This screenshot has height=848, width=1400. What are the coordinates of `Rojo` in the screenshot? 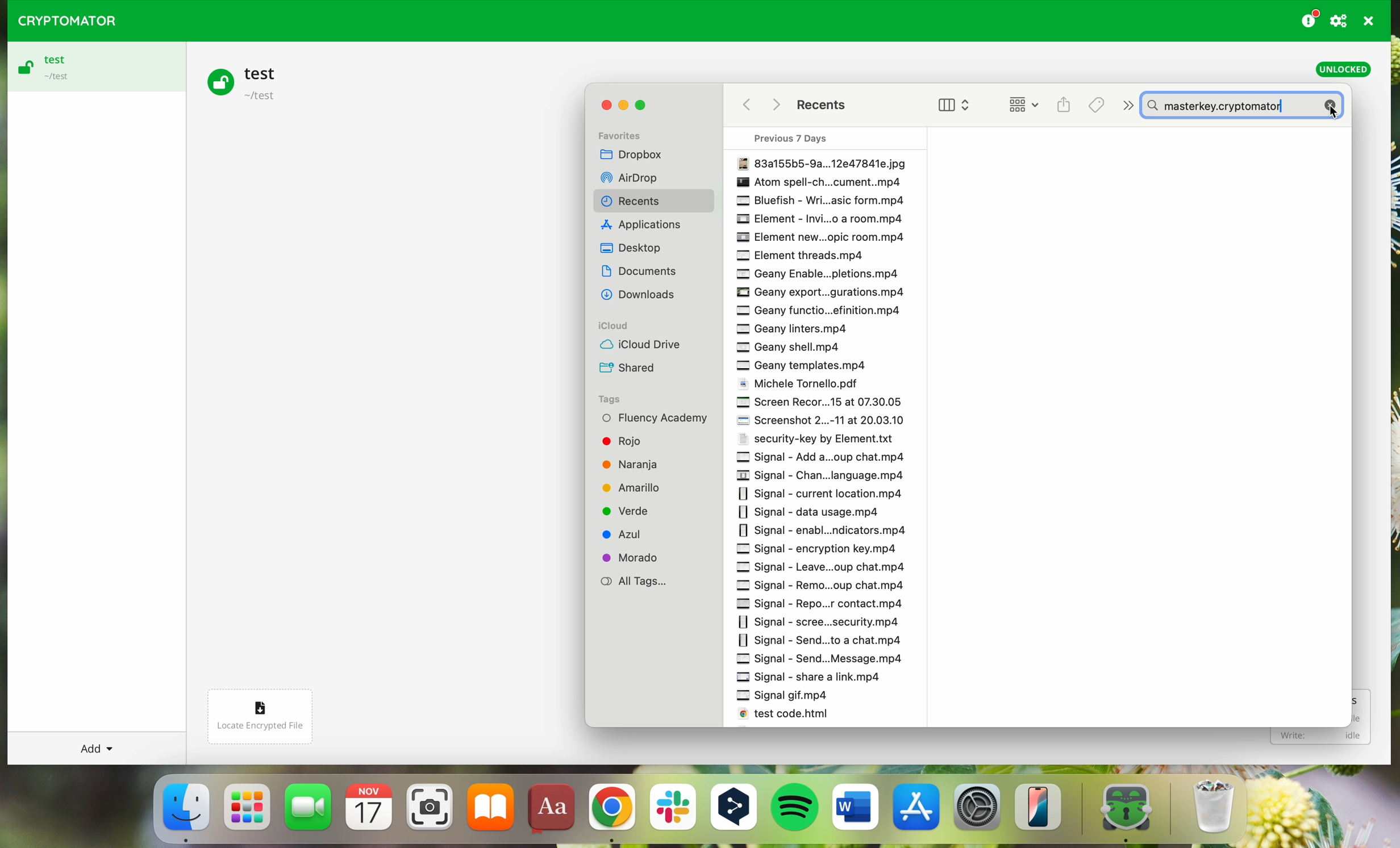 It's located at (624, 439).